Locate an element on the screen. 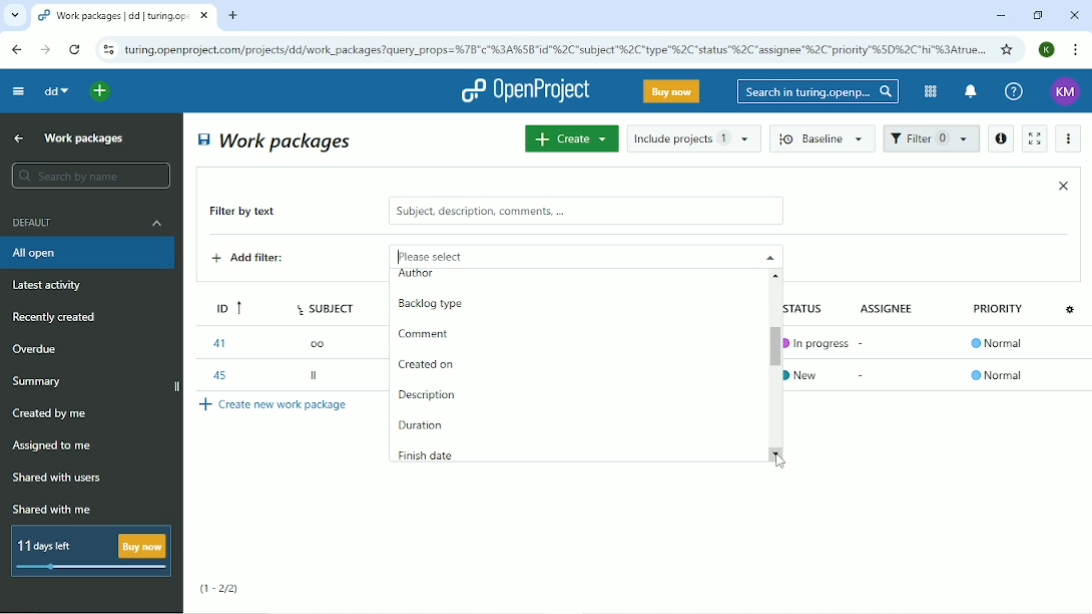 Image resolution: width=1092 pixels, height=614 pixels. Description is located at coordinates (425, 393).